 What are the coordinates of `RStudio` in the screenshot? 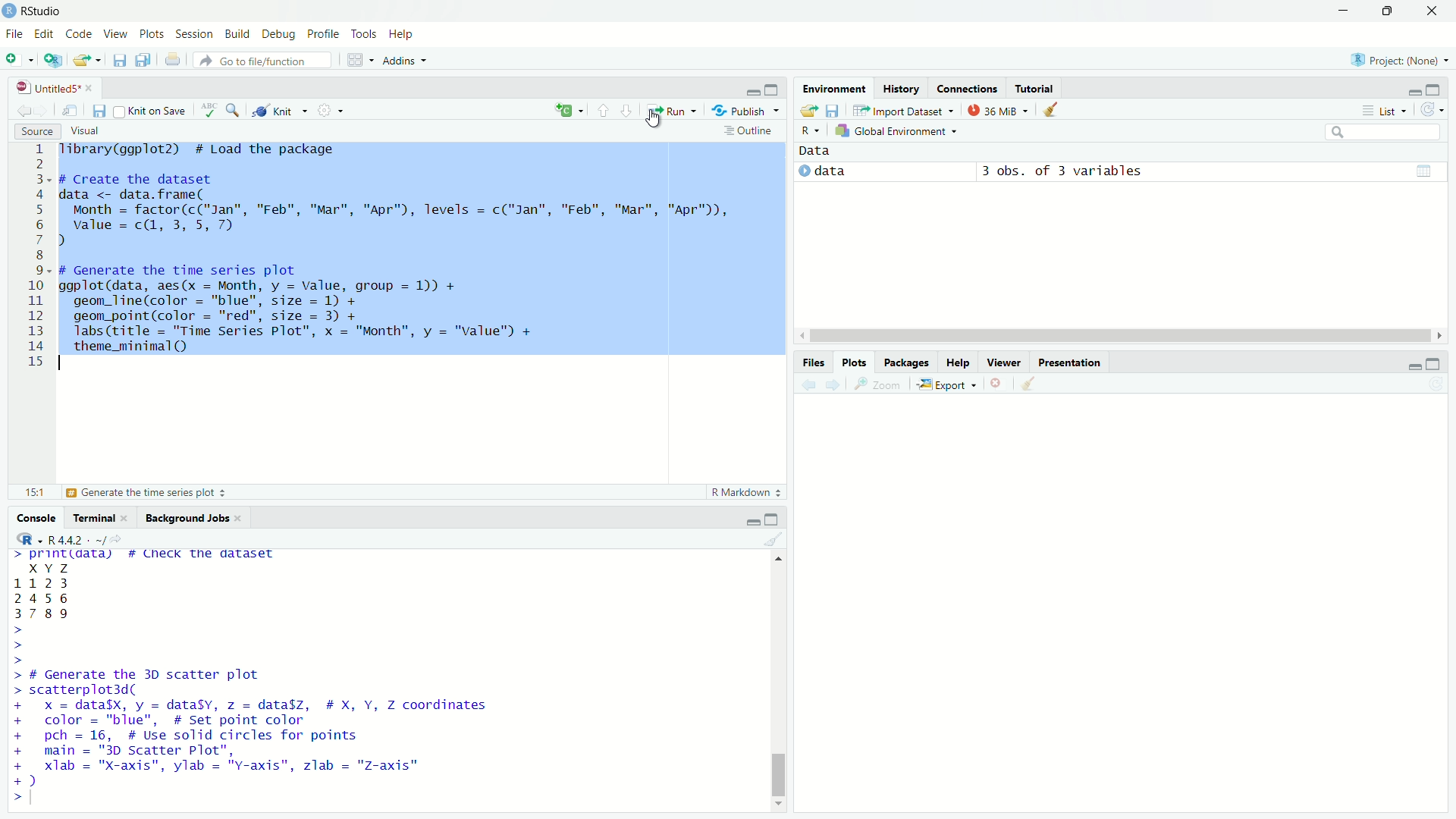 It's located at (47, 11).